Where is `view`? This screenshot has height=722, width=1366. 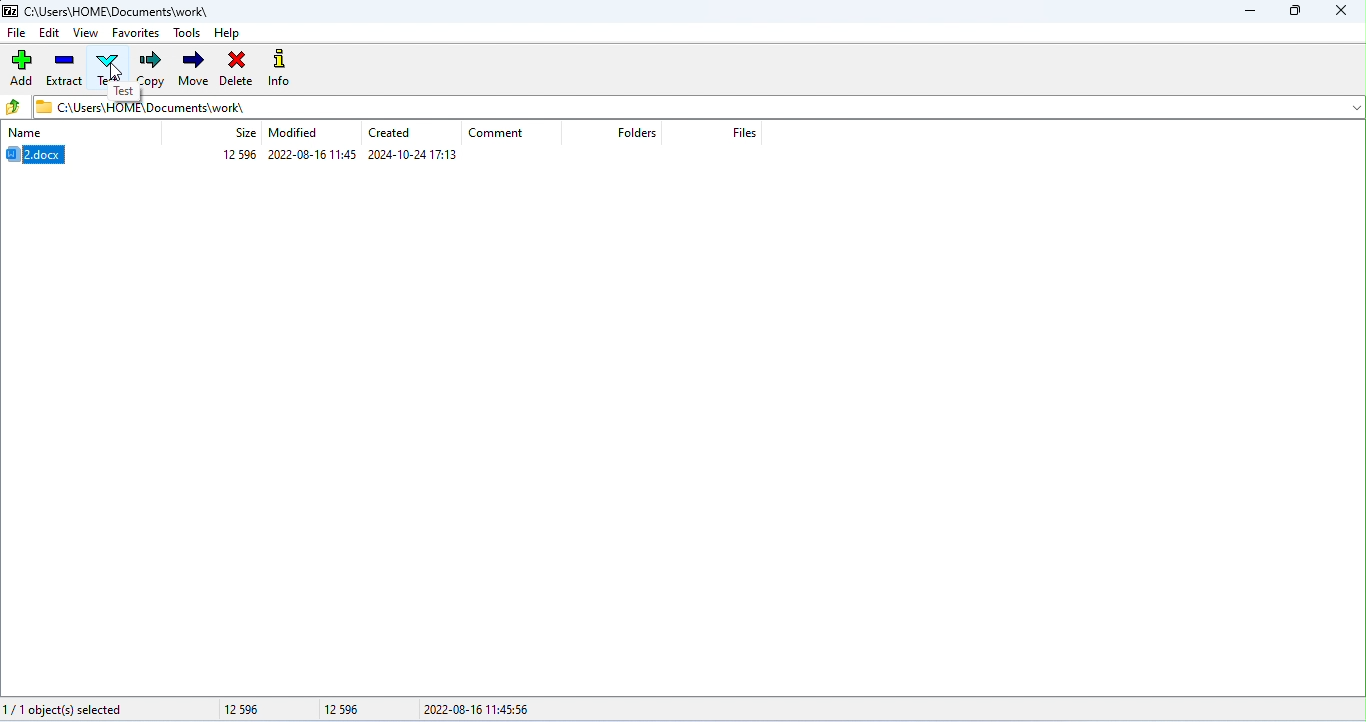
view is located at coordinates (84, 32).